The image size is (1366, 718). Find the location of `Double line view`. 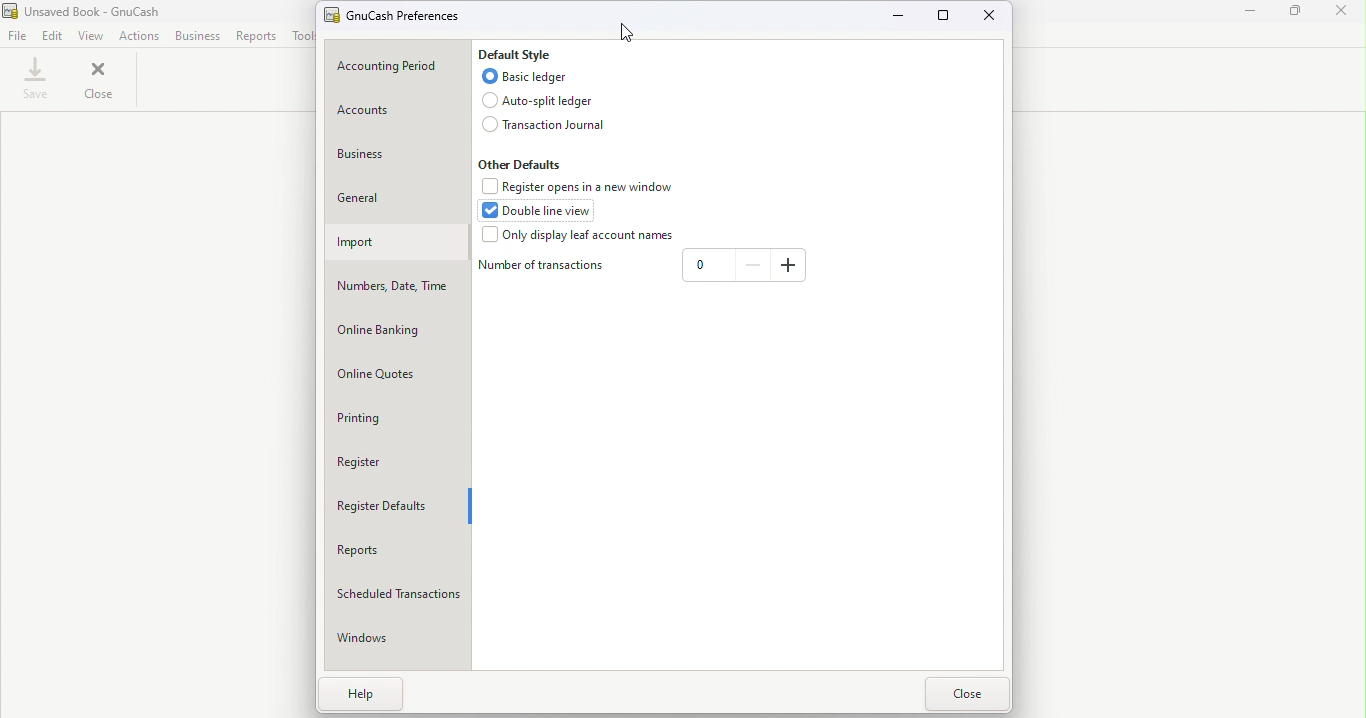

Double line view is located at coordinates (545, 210).